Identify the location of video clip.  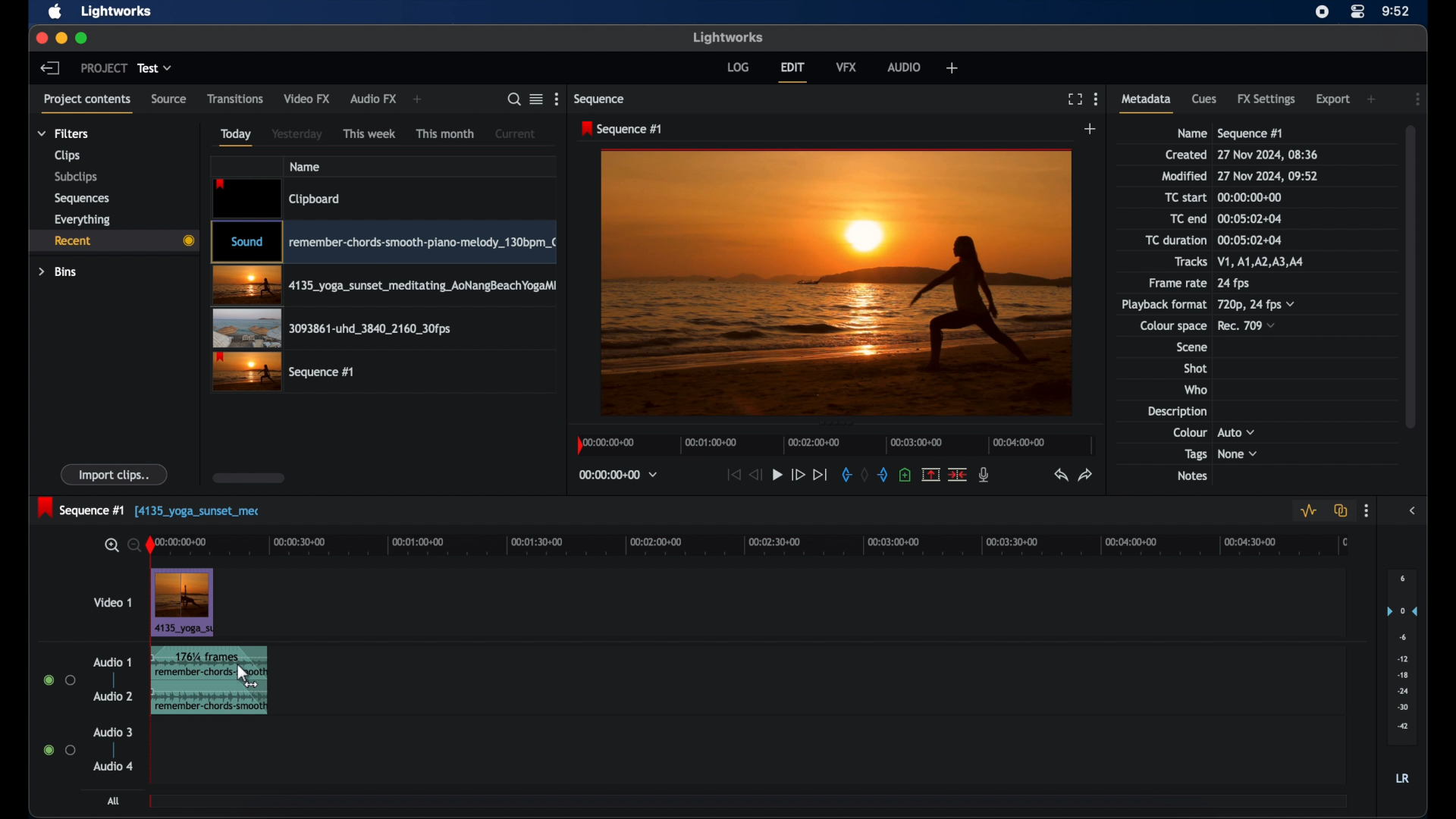
(383, 242).